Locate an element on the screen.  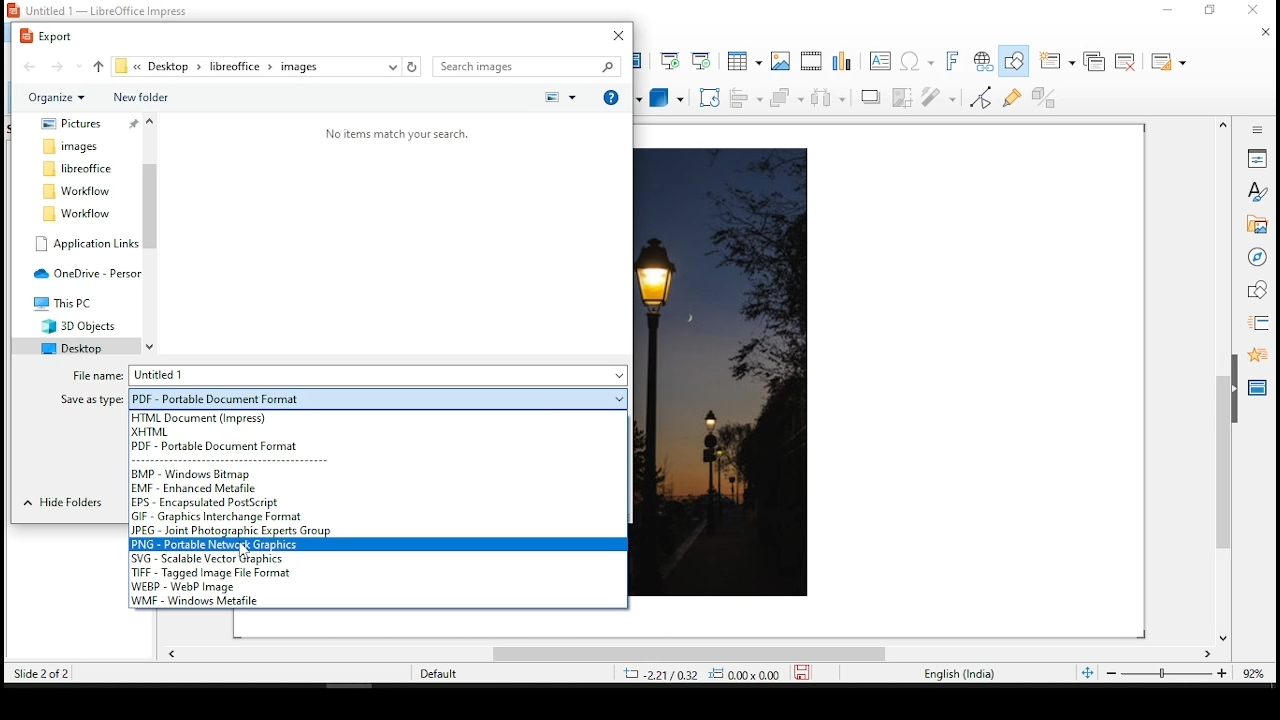
distribute is located at coordinates (830, 98).